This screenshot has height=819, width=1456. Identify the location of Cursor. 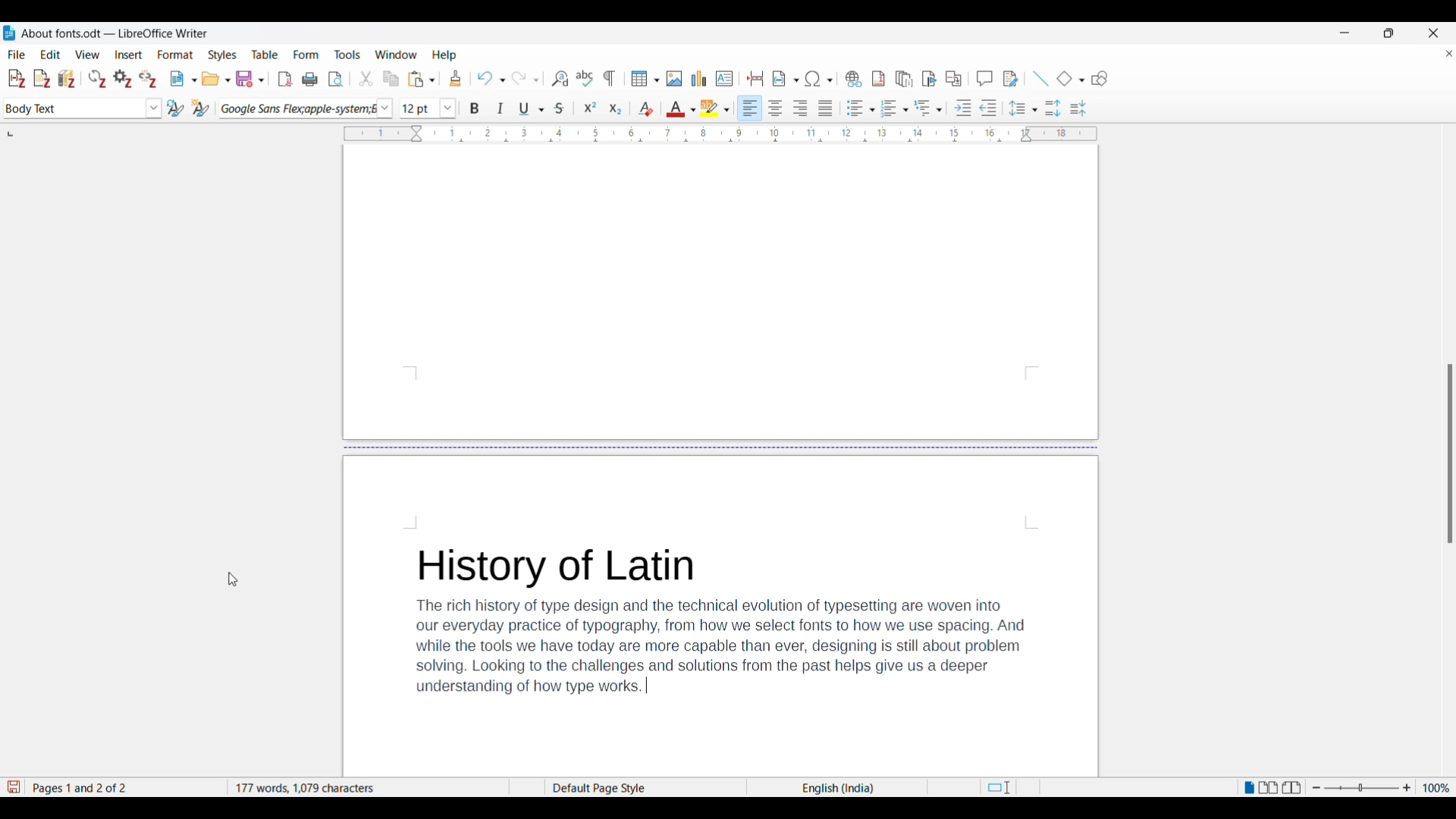
(232, 580).